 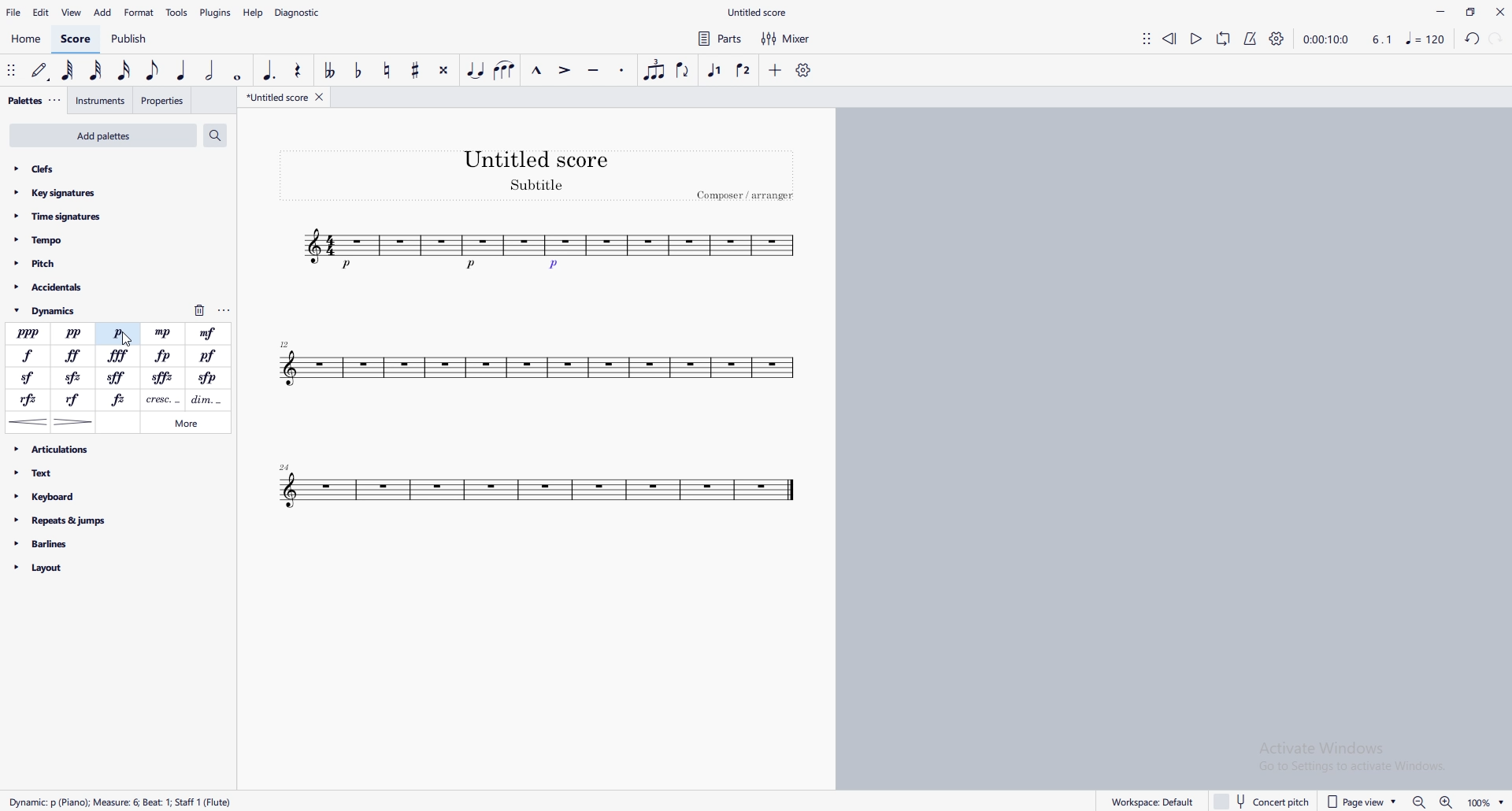 I want to click on voice 1, so click(x=716, y=70).